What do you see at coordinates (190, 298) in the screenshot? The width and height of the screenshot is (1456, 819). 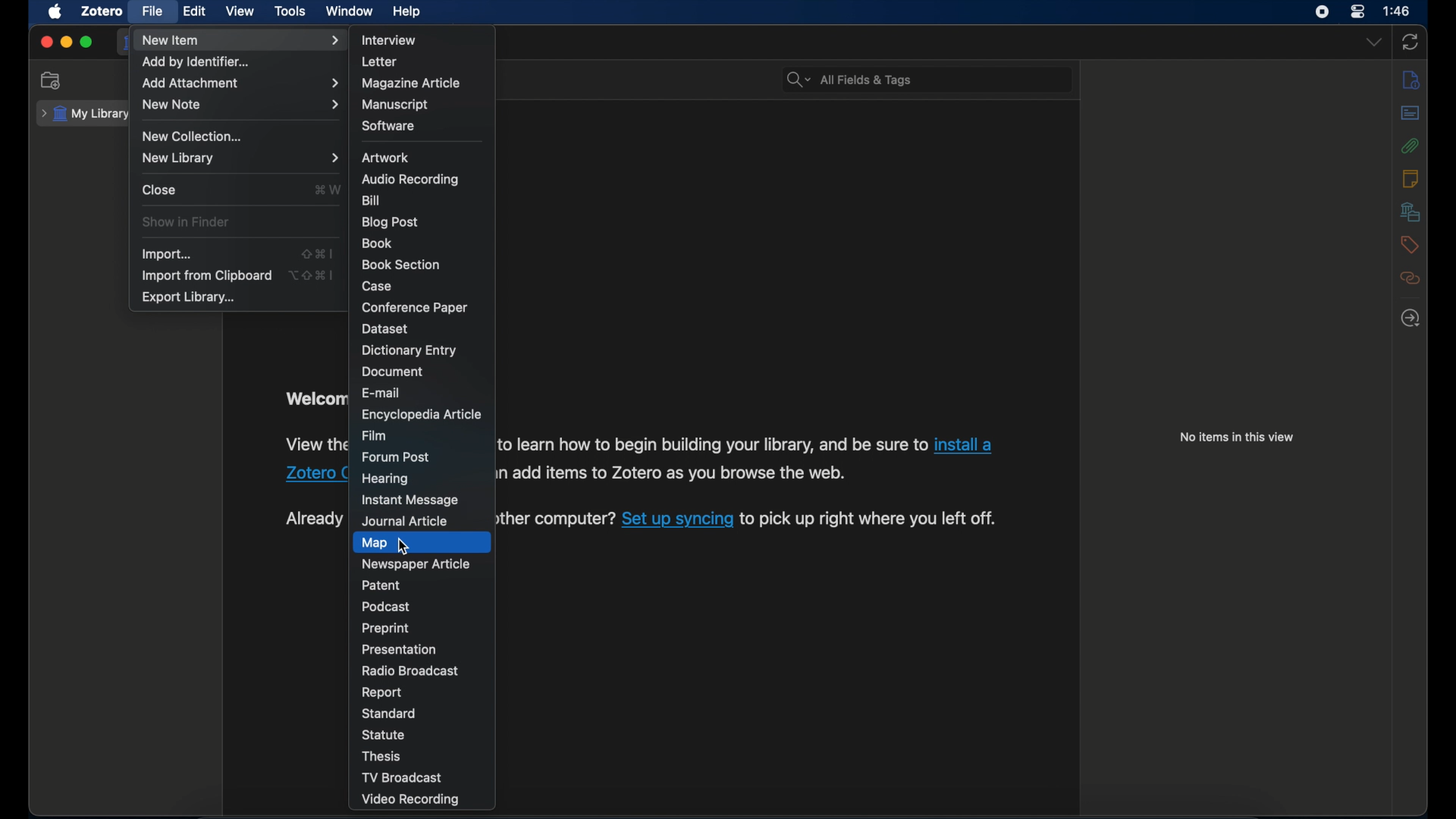 I see `export library` at bounding box center [190, 298].